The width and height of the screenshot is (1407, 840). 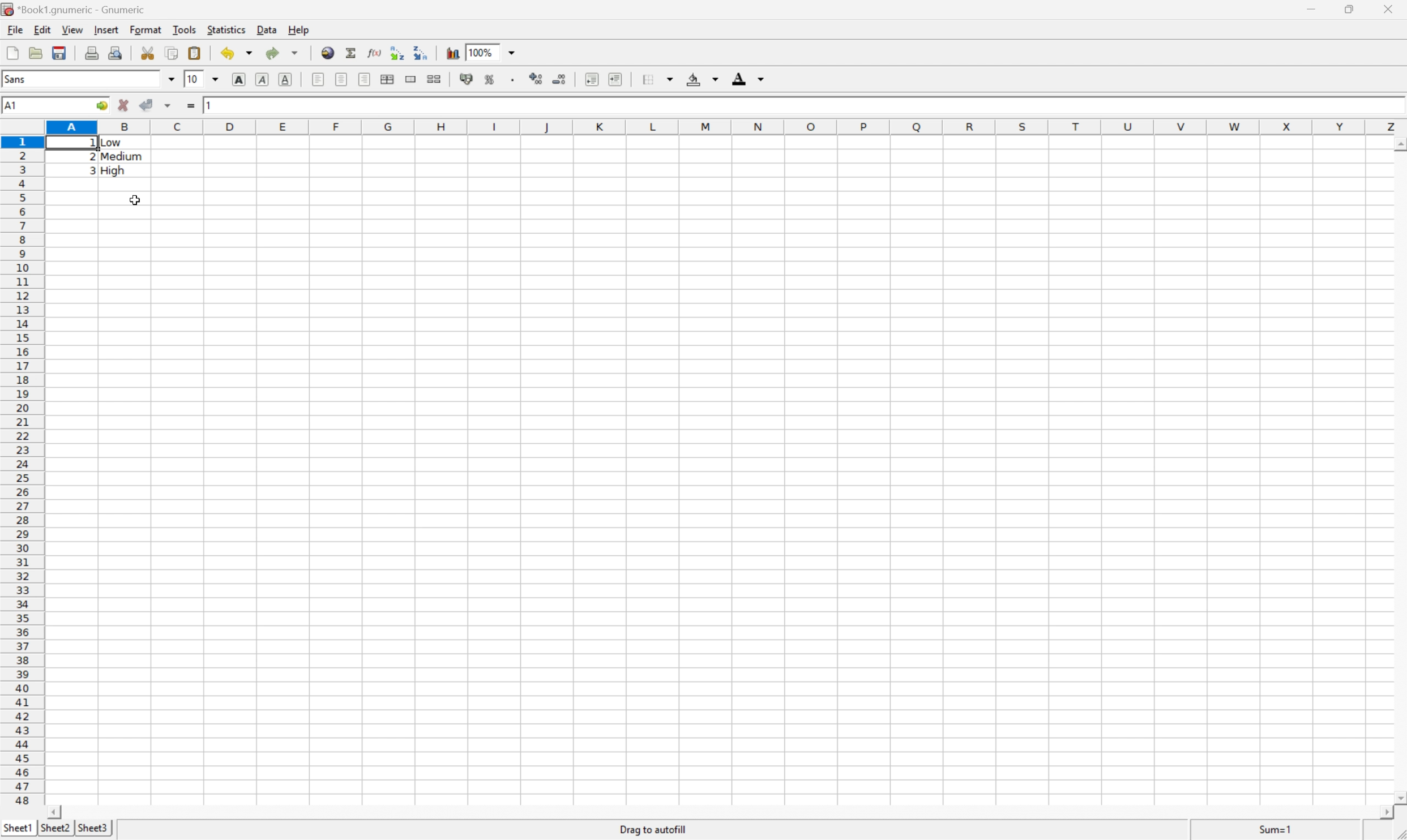 What do you see at coordinates (375, 53) in the screenshot?
I see `Edit function in current cell` at bounding box center [375, 53].